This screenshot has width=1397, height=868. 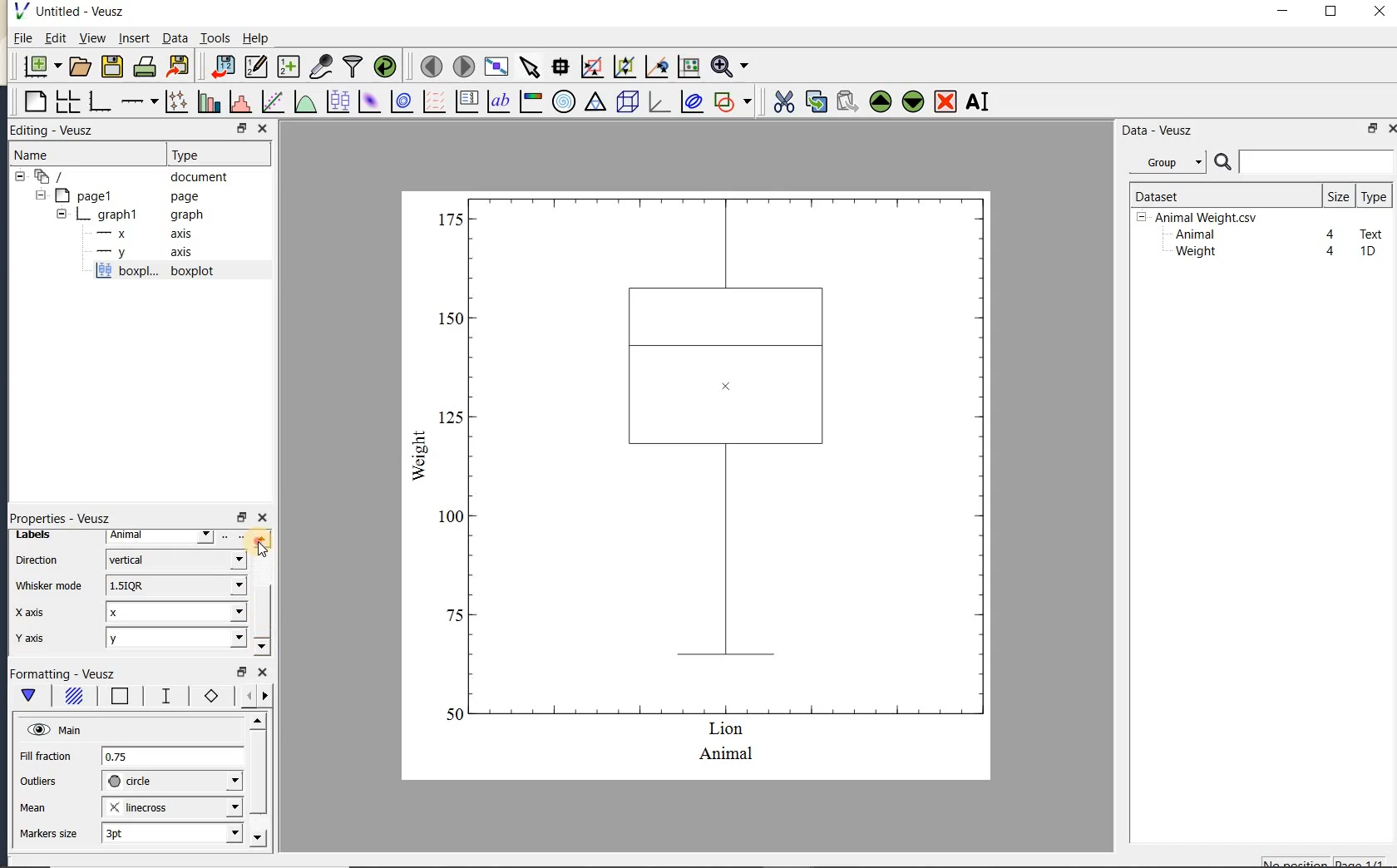 I want to click on Edit, so click(x=52, y=40).